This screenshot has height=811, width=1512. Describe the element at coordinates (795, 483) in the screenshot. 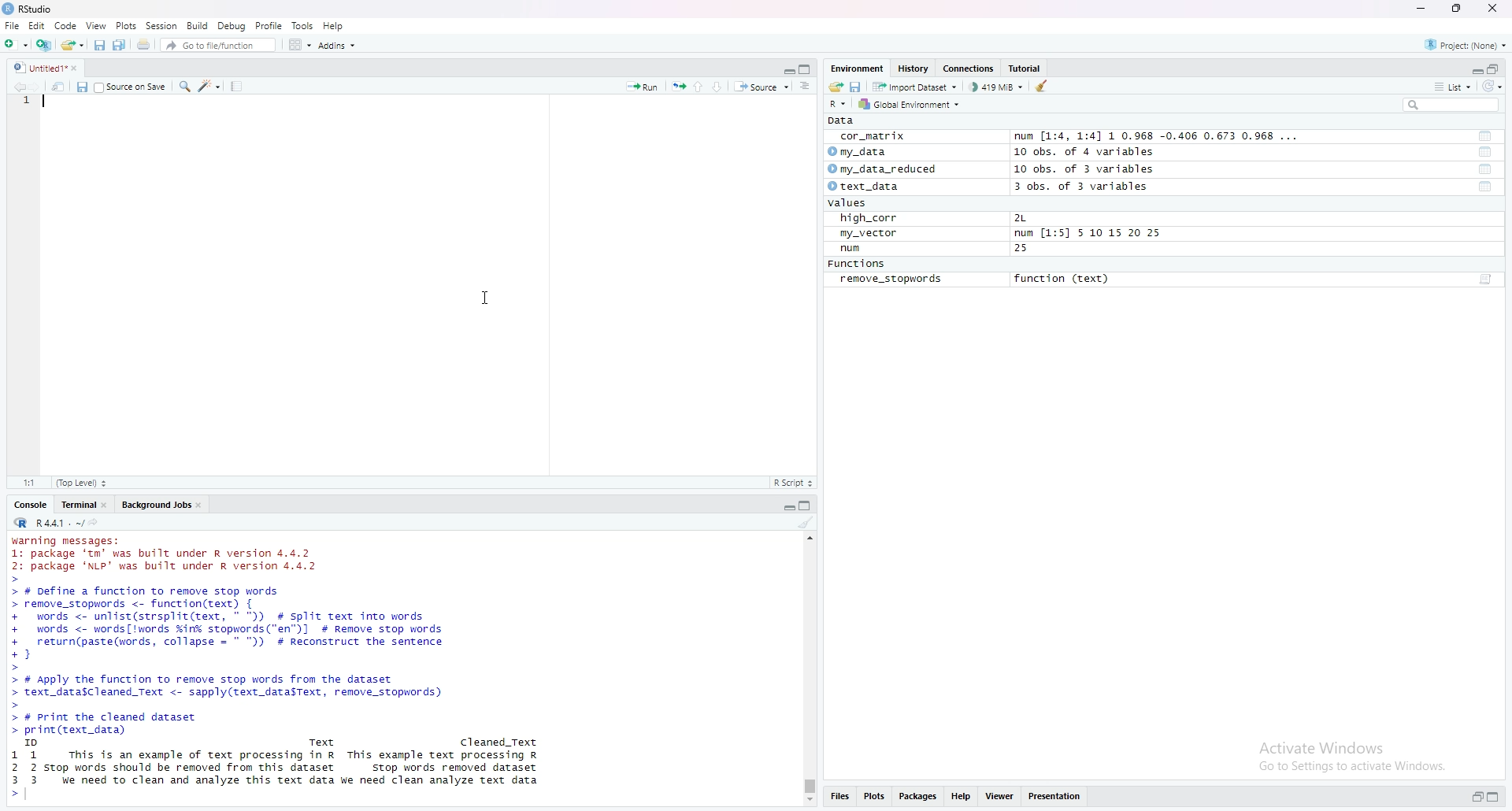

I see `R Script` at that location.